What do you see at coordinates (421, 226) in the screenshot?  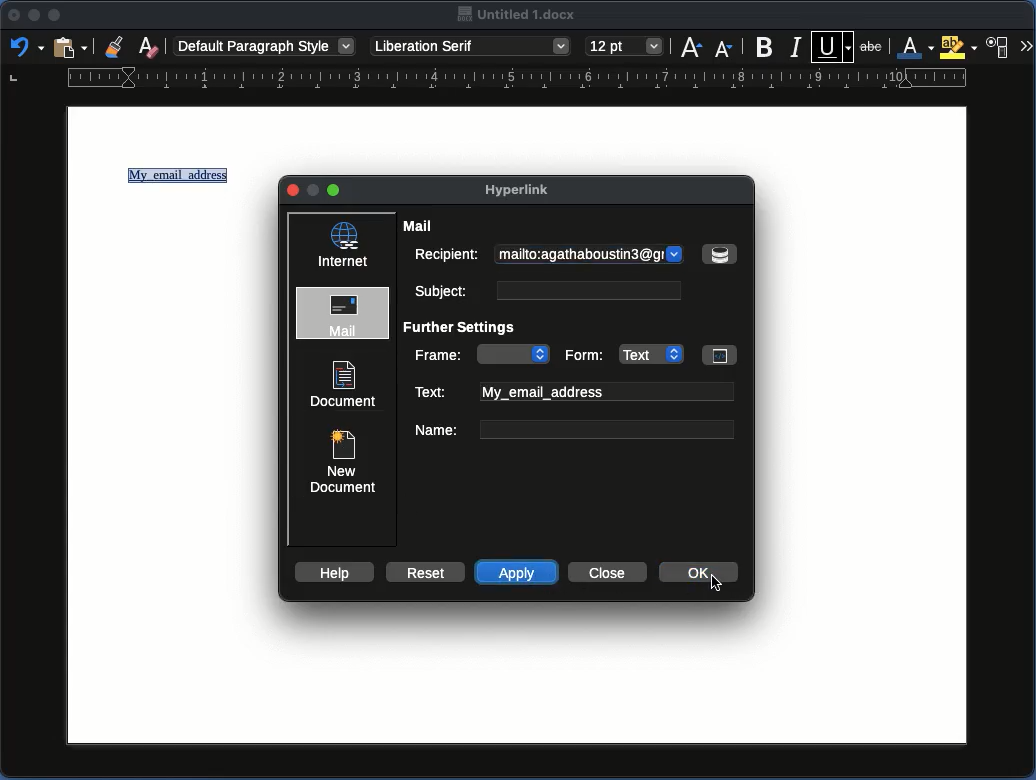 I see `Mail` at bounding box center [421, 226].